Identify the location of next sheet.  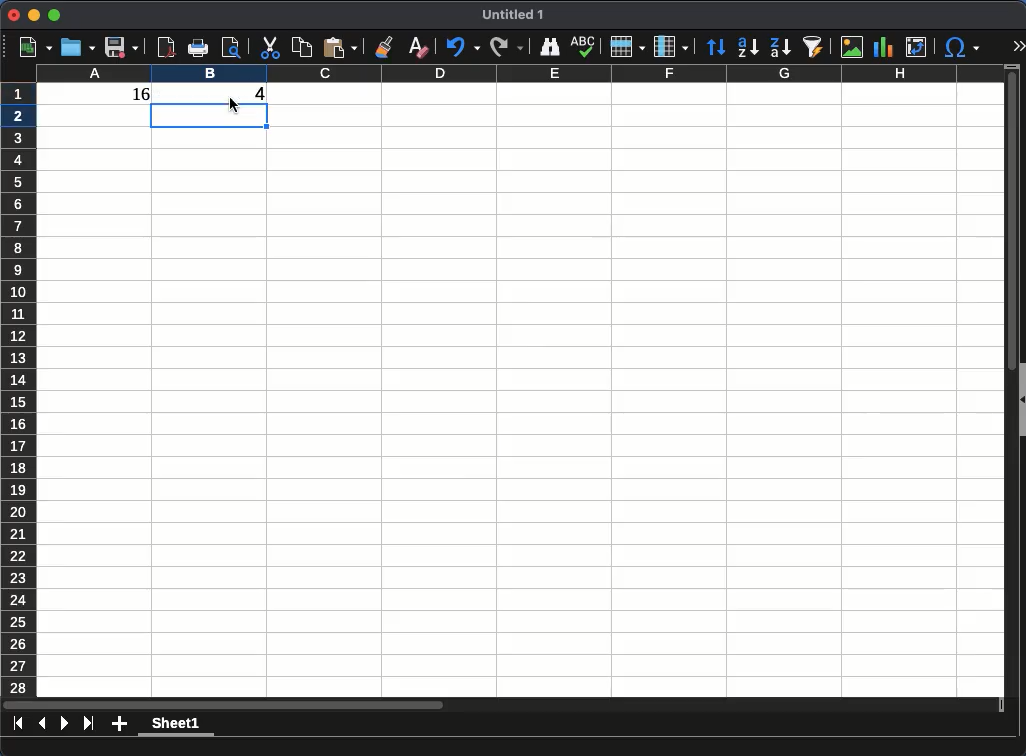
(63, 723).